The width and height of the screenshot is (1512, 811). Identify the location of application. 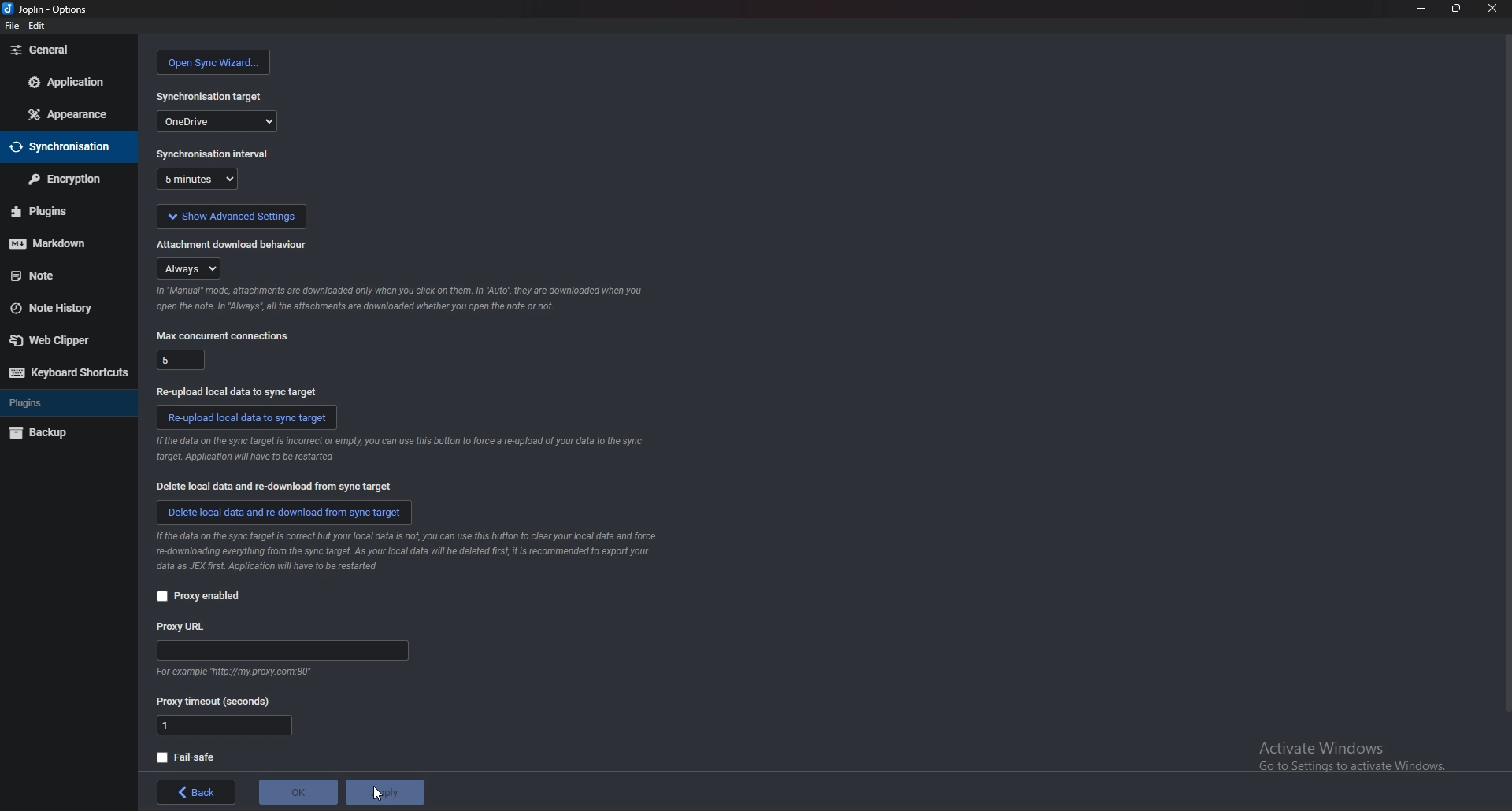
(66, 81).